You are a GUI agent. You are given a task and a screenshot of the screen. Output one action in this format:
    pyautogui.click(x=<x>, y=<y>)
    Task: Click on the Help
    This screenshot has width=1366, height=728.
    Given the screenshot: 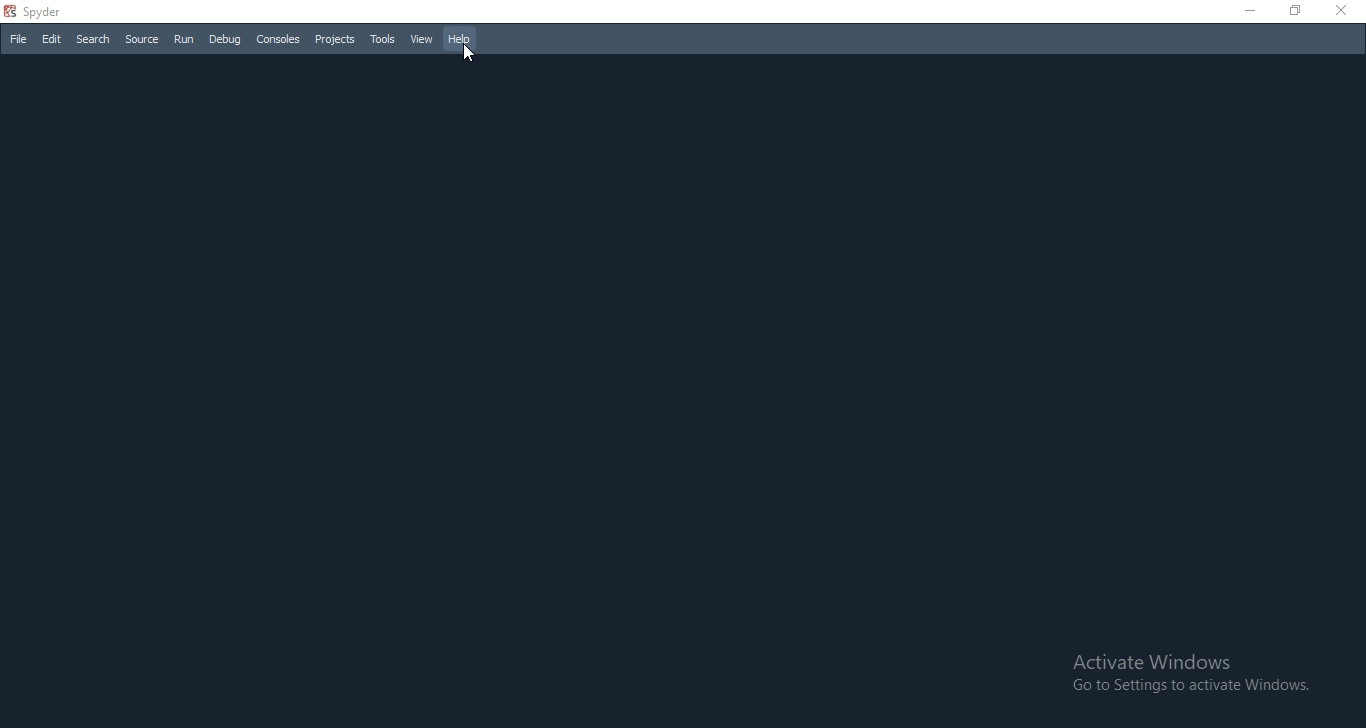 What is the action you would take?
    pyautogui.click(x=463, y=39)
    